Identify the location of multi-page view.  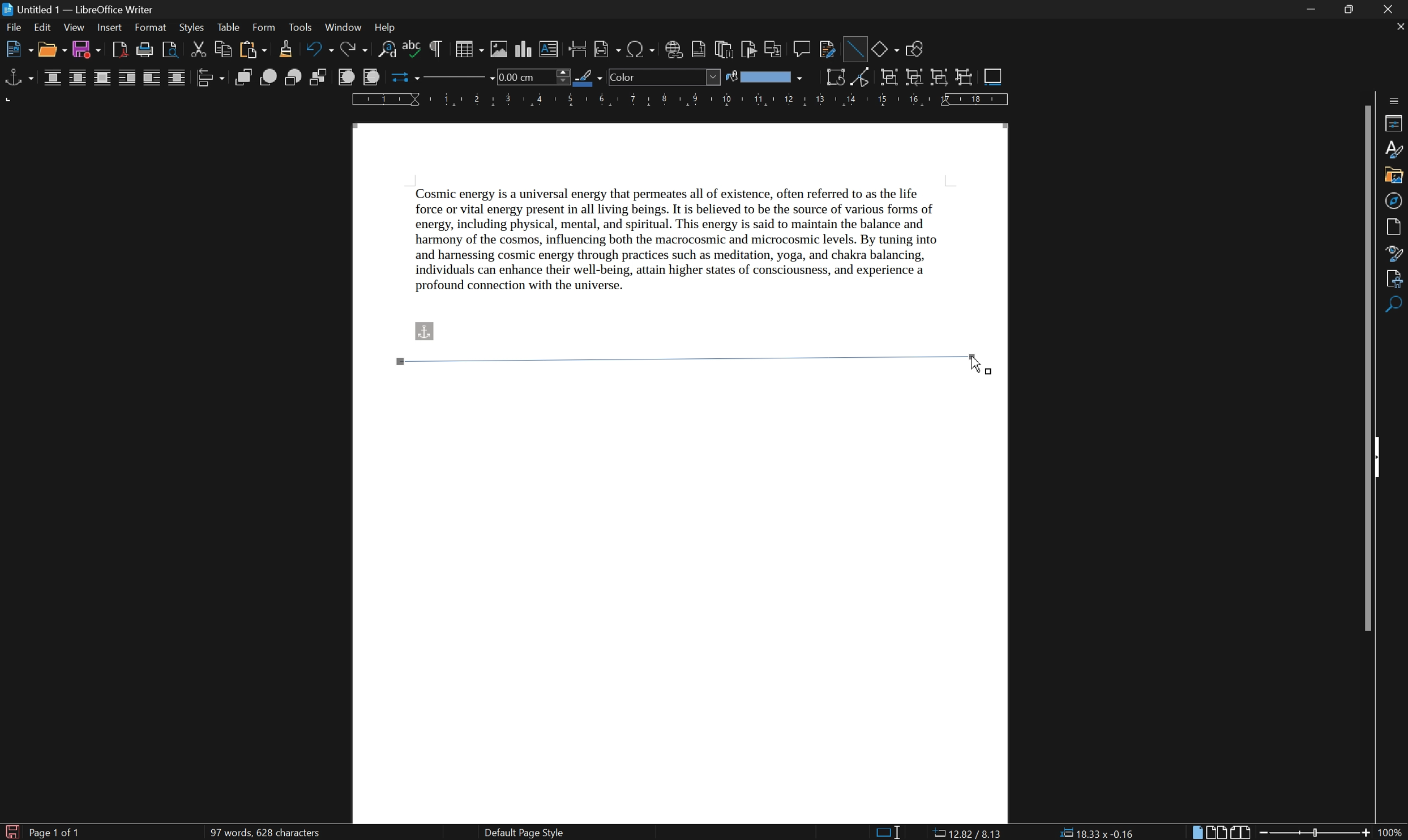
(1218, 832).